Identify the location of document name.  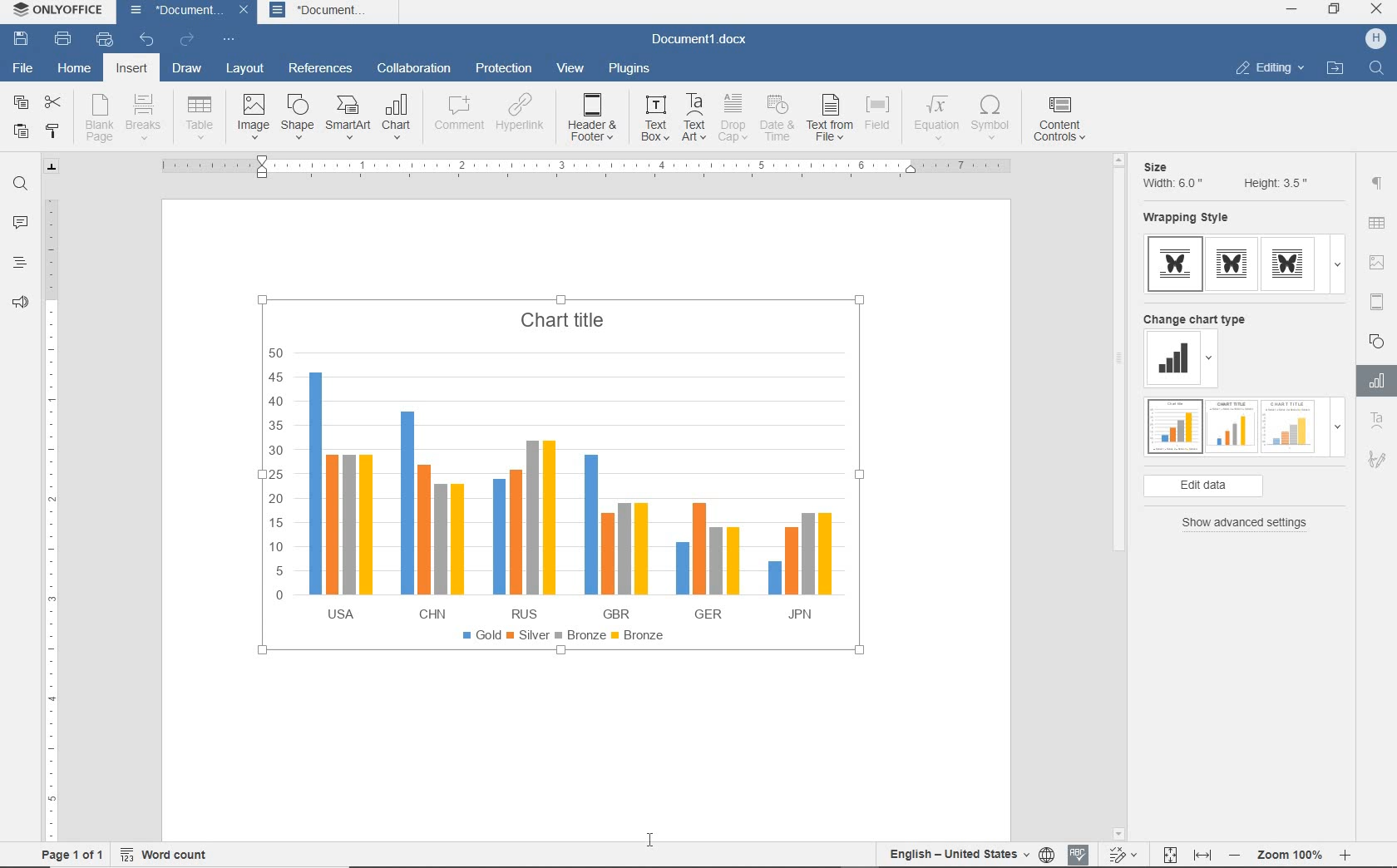
(705, 38).